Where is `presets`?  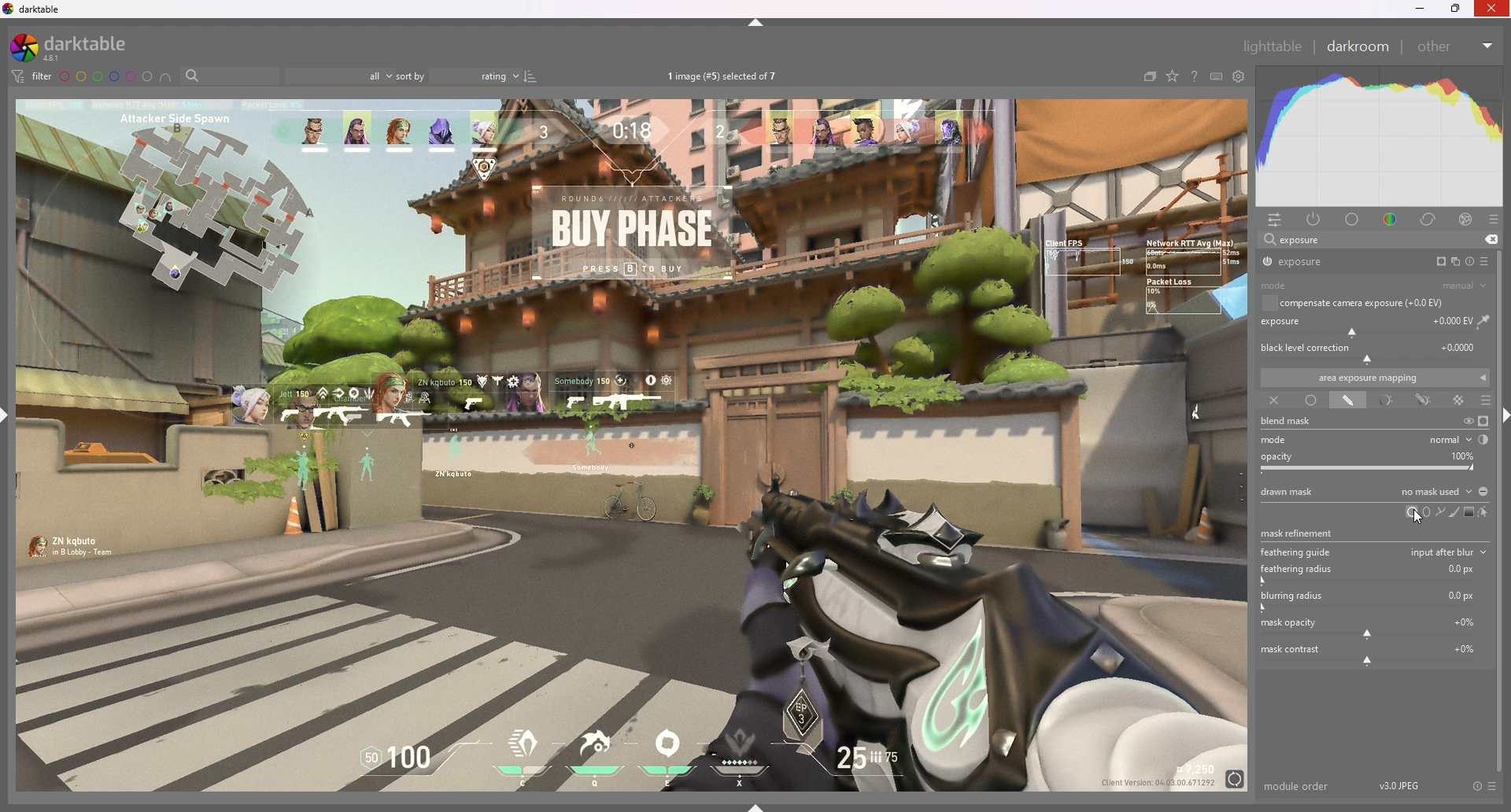 presets is located at coordinates (1493, 220).